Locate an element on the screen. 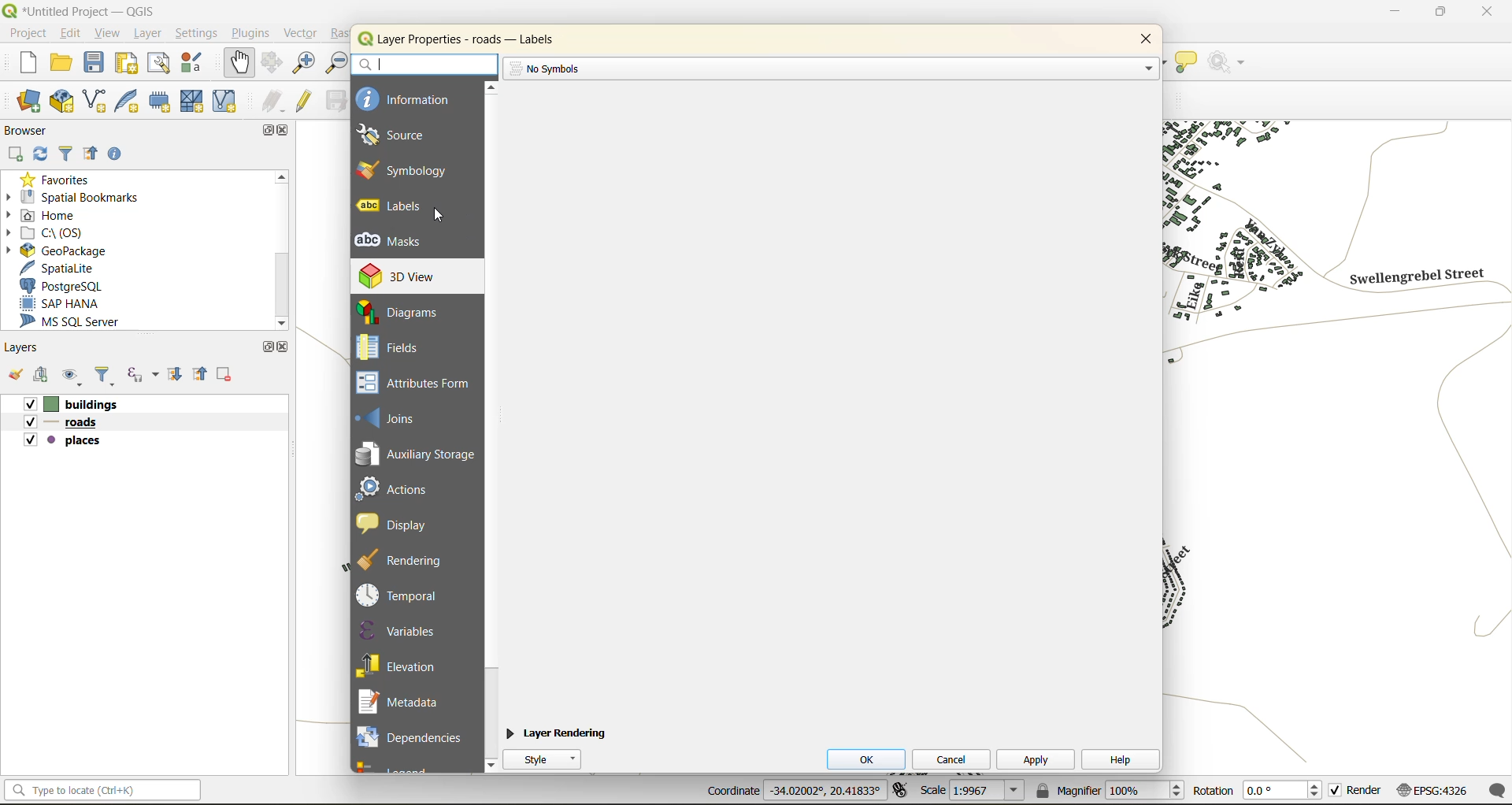  symbology is located at coordinates (402, 169).